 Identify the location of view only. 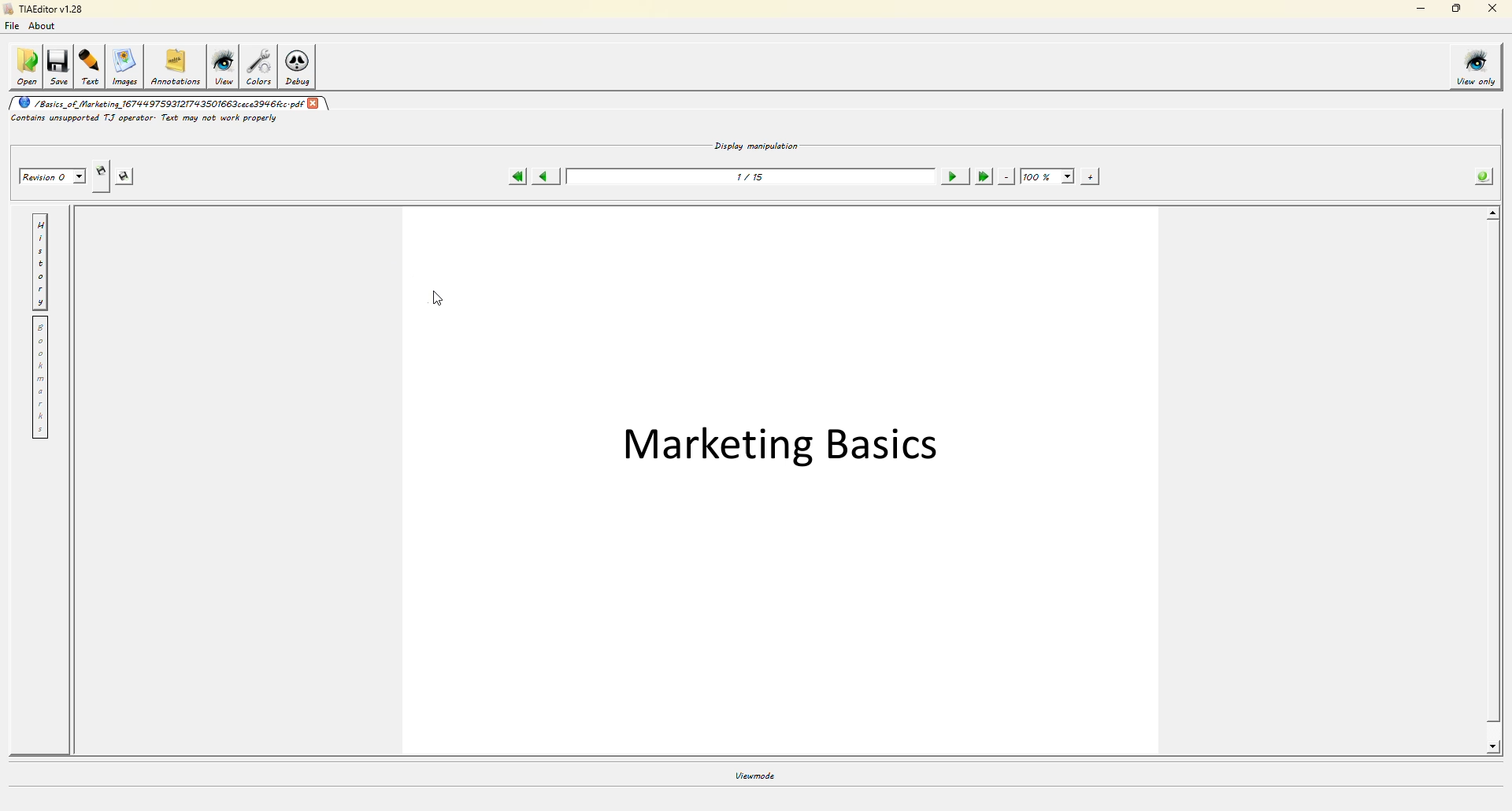
(1473, 65).